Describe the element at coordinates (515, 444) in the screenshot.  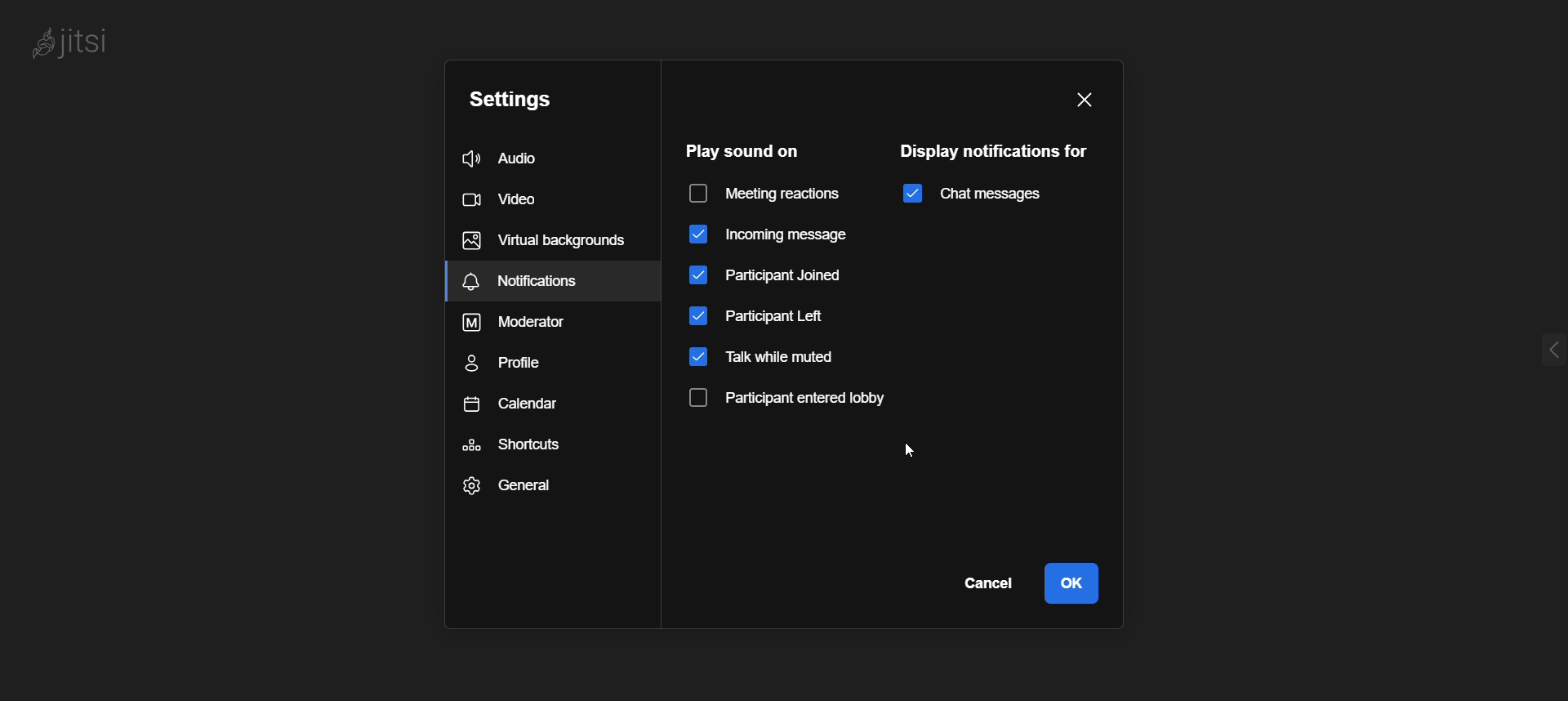
I see `Shortcuts` at that location.